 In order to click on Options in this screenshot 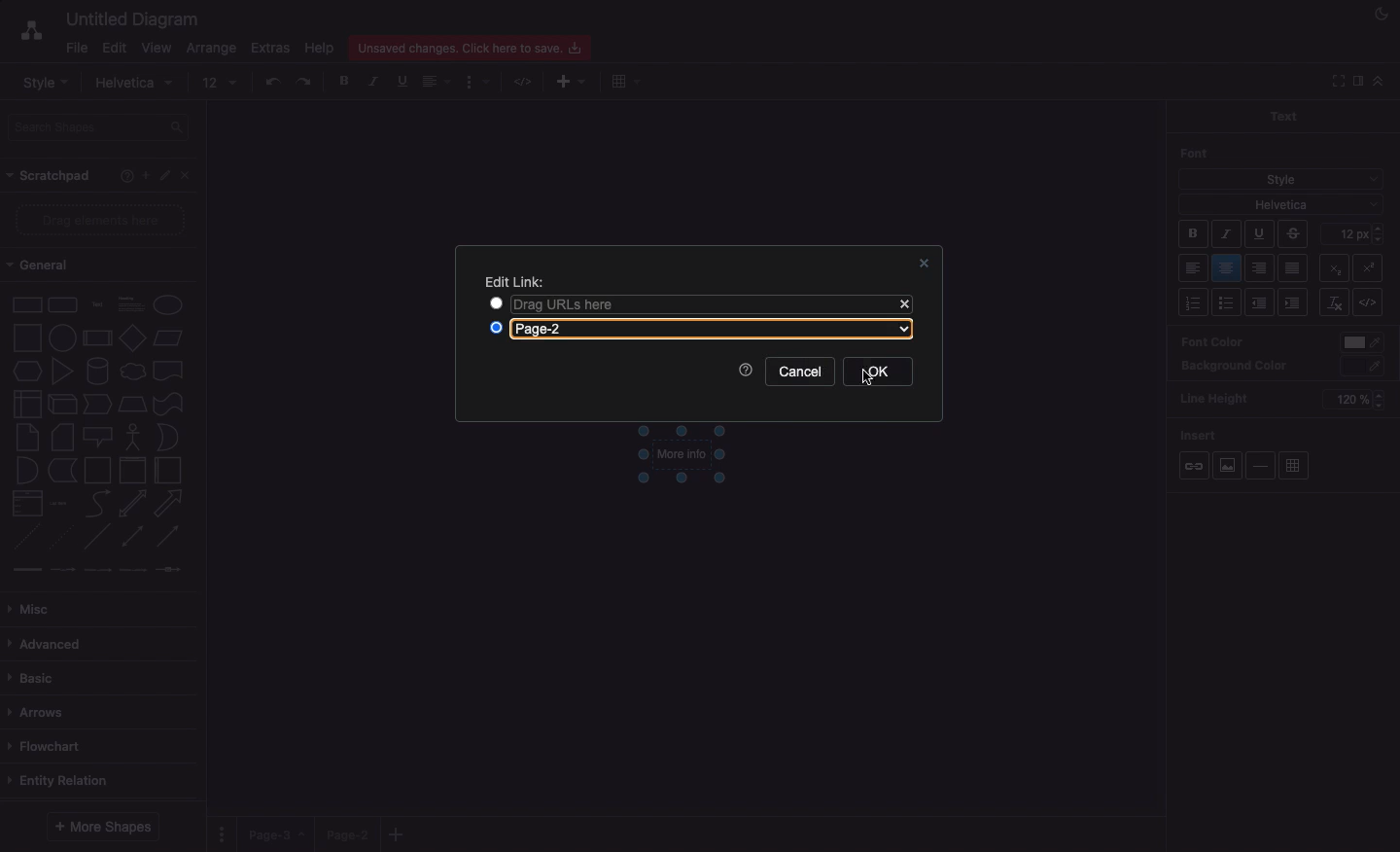, I will do `click(224, 834)`.